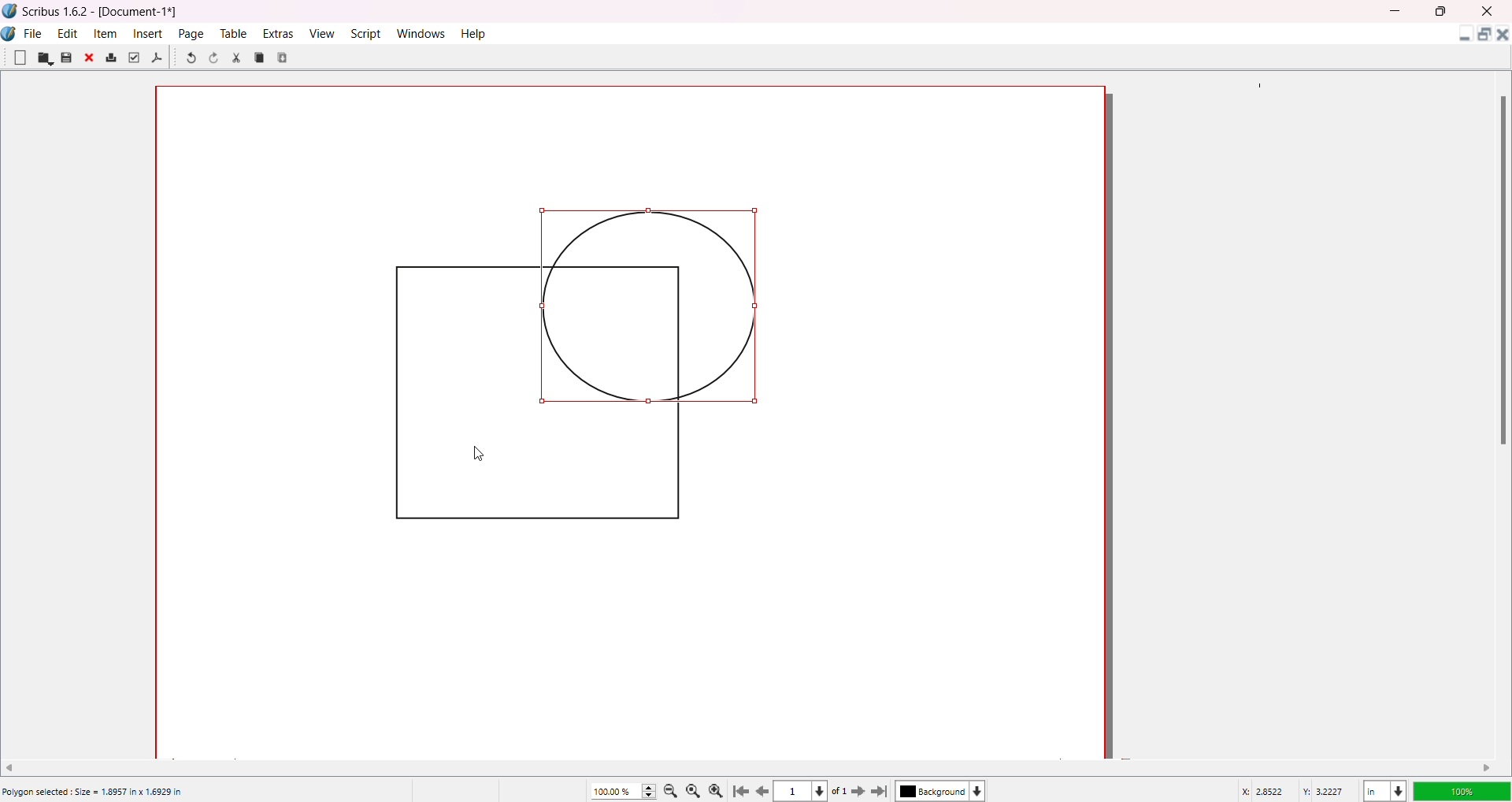 The image size is (1512, 802). I want to click on Print, so click(111, 58).